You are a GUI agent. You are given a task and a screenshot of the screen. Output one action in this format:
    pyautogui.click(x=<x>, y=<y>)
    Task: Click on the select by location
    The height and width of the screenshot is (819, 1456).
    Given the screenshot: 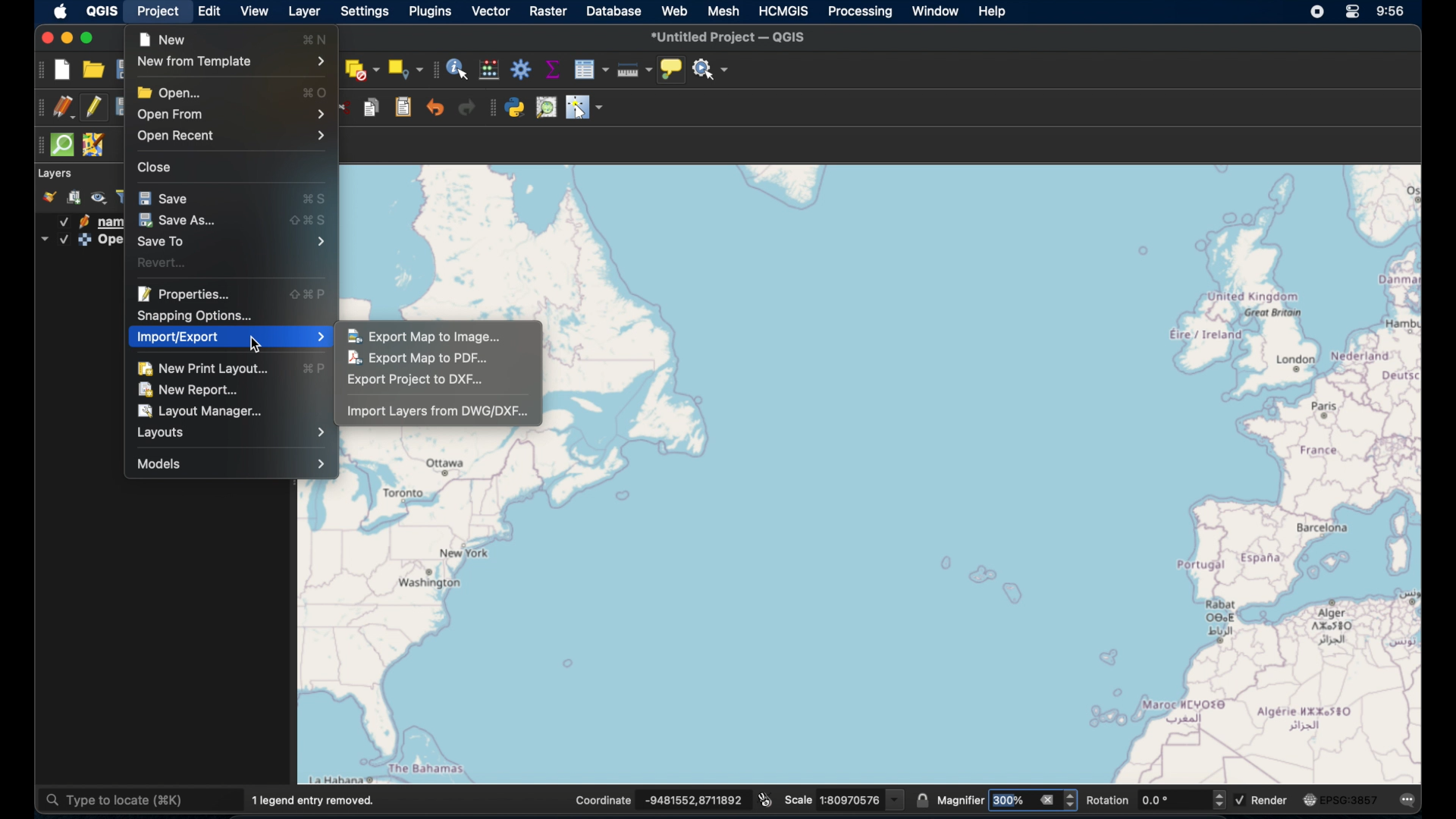 What is the action you would take?
    pyautogui.click(x=405, y=70)
    